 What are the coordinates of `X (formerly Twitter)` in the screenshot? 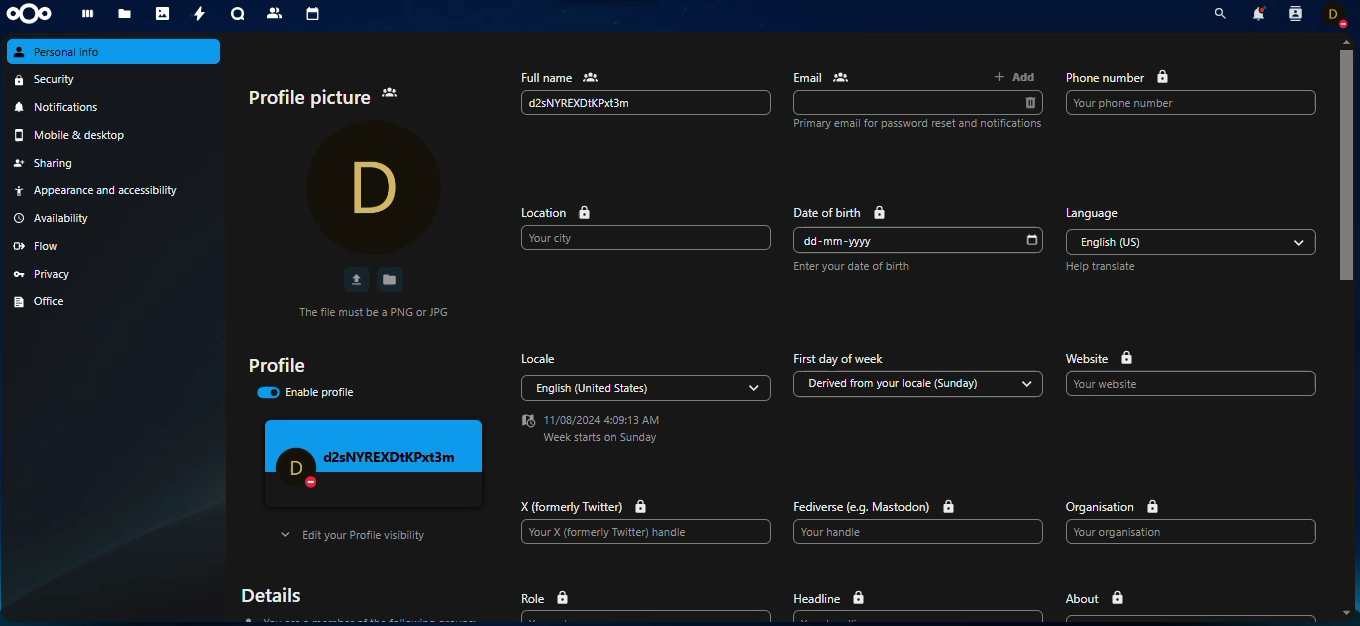 It's located at (584, 507).